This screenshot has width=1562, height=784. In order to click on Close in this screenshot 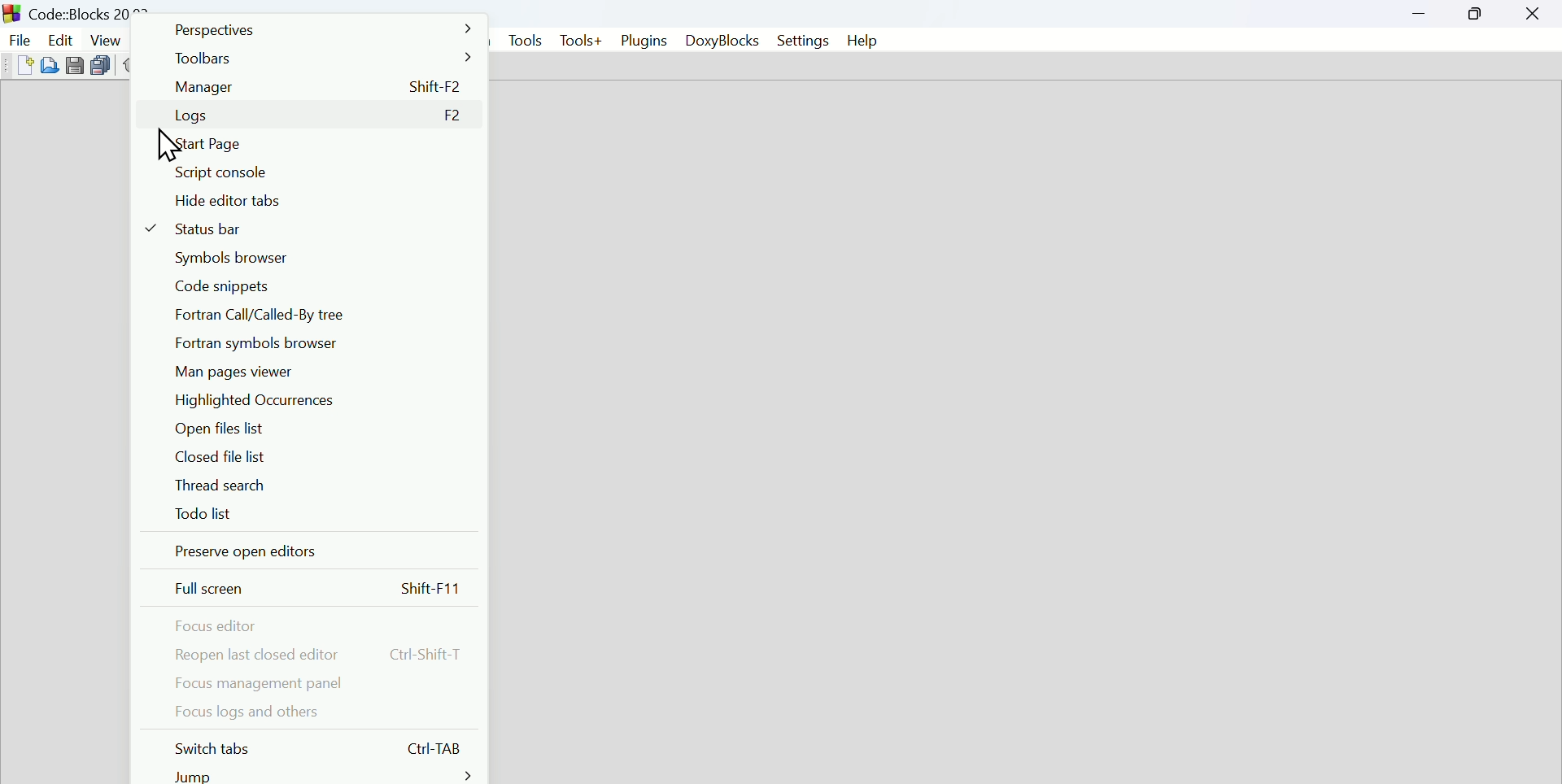, I will do `click(1533, 15)`.